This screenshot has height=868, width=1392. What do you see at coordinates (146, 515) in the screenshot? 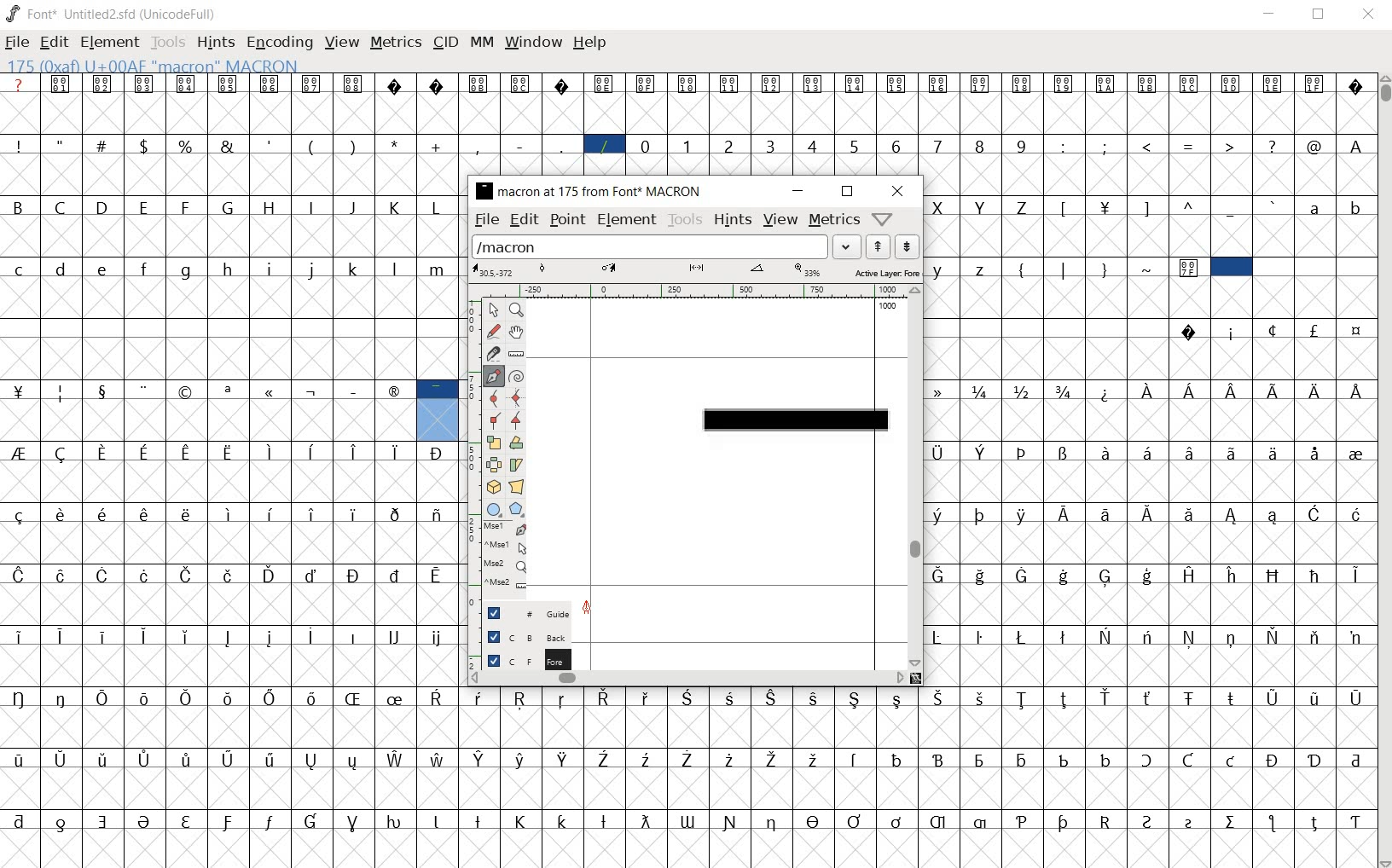
I see `Symbol` at bounding box center [146, 515].